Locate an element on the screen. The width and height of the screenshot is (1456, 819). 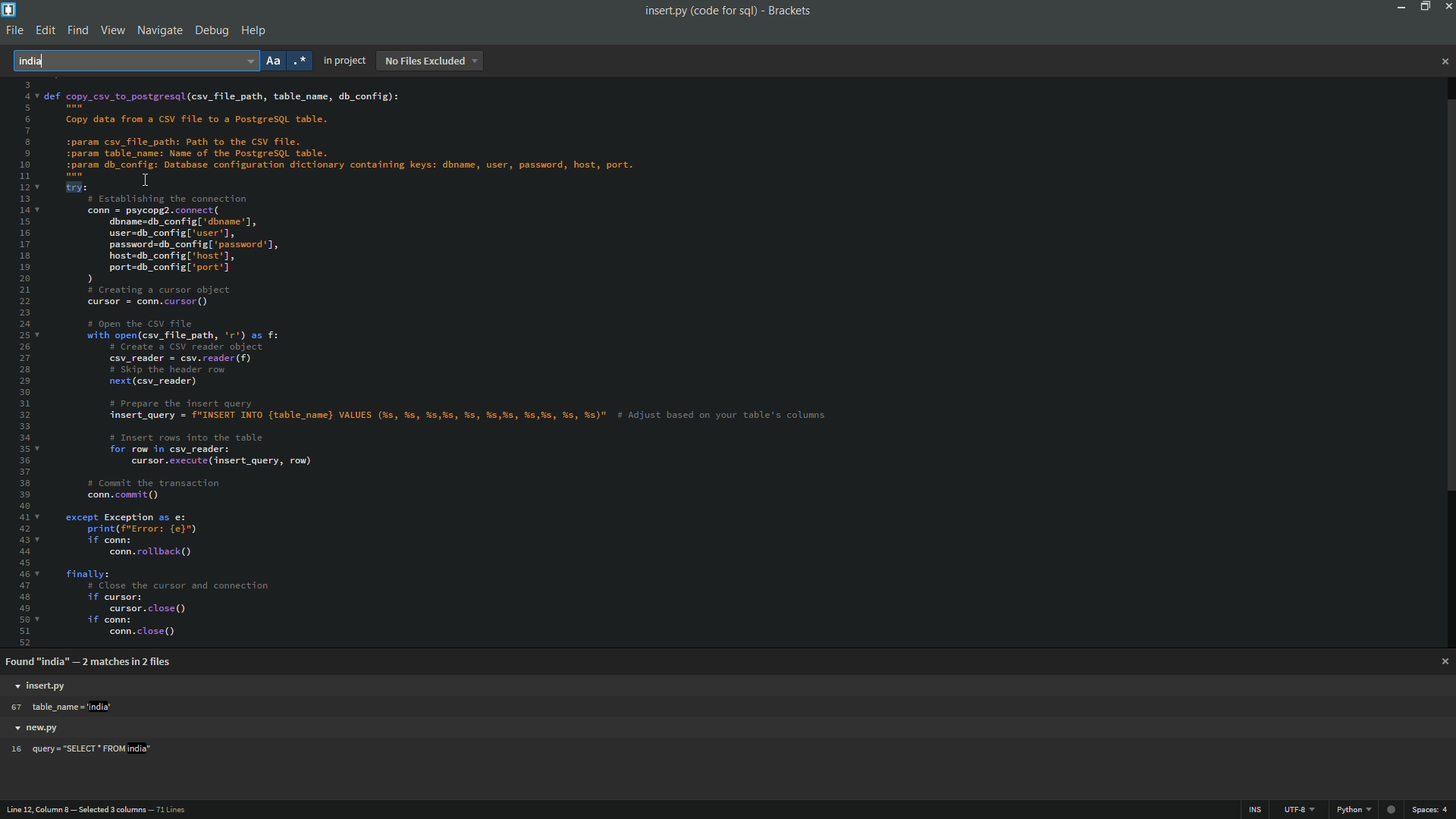
file menu is located at coordinates (12, 32).